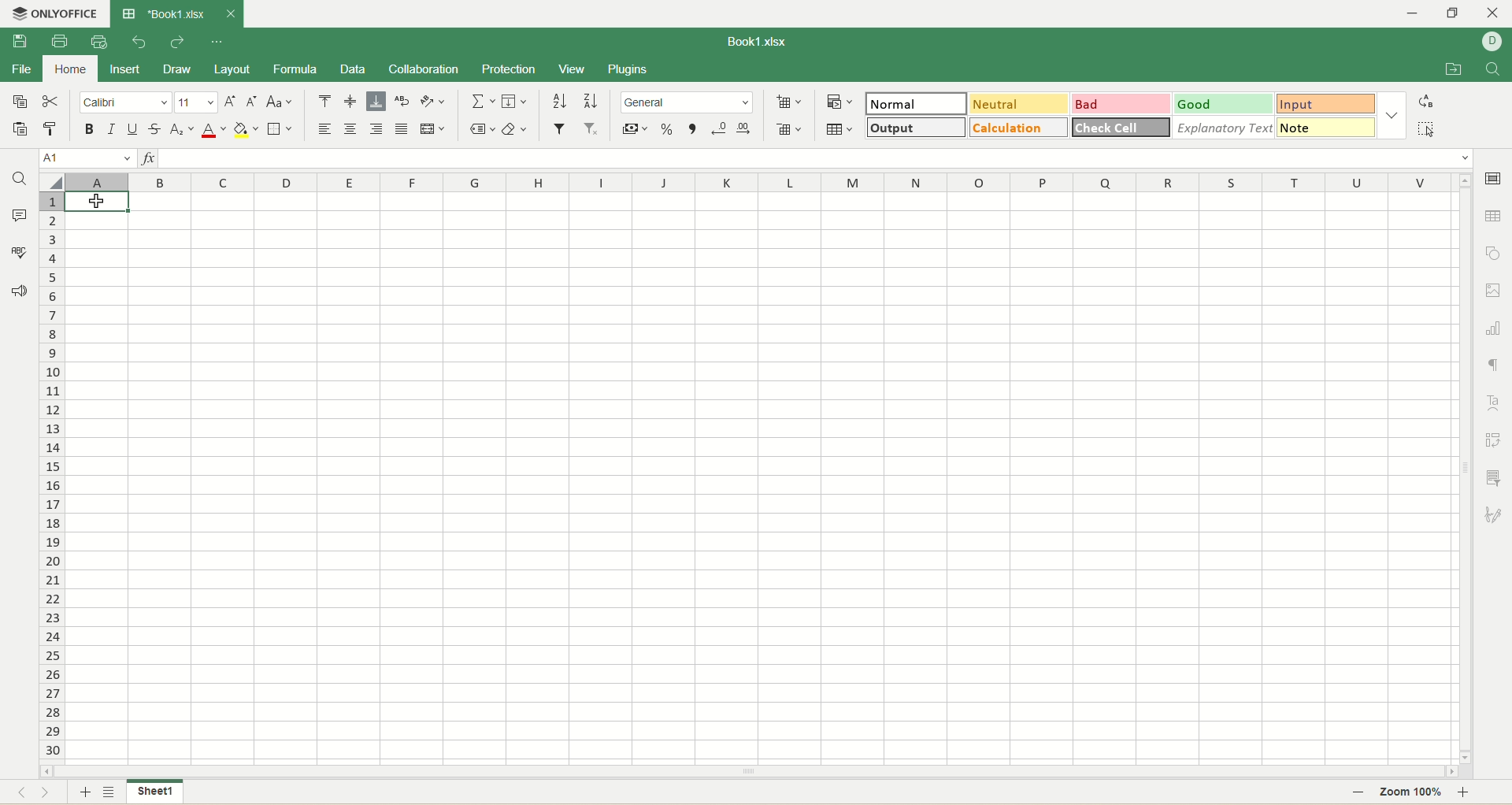 This screenshot has width=1512, height=805. I want to click on image settings, so click(1495, 290).